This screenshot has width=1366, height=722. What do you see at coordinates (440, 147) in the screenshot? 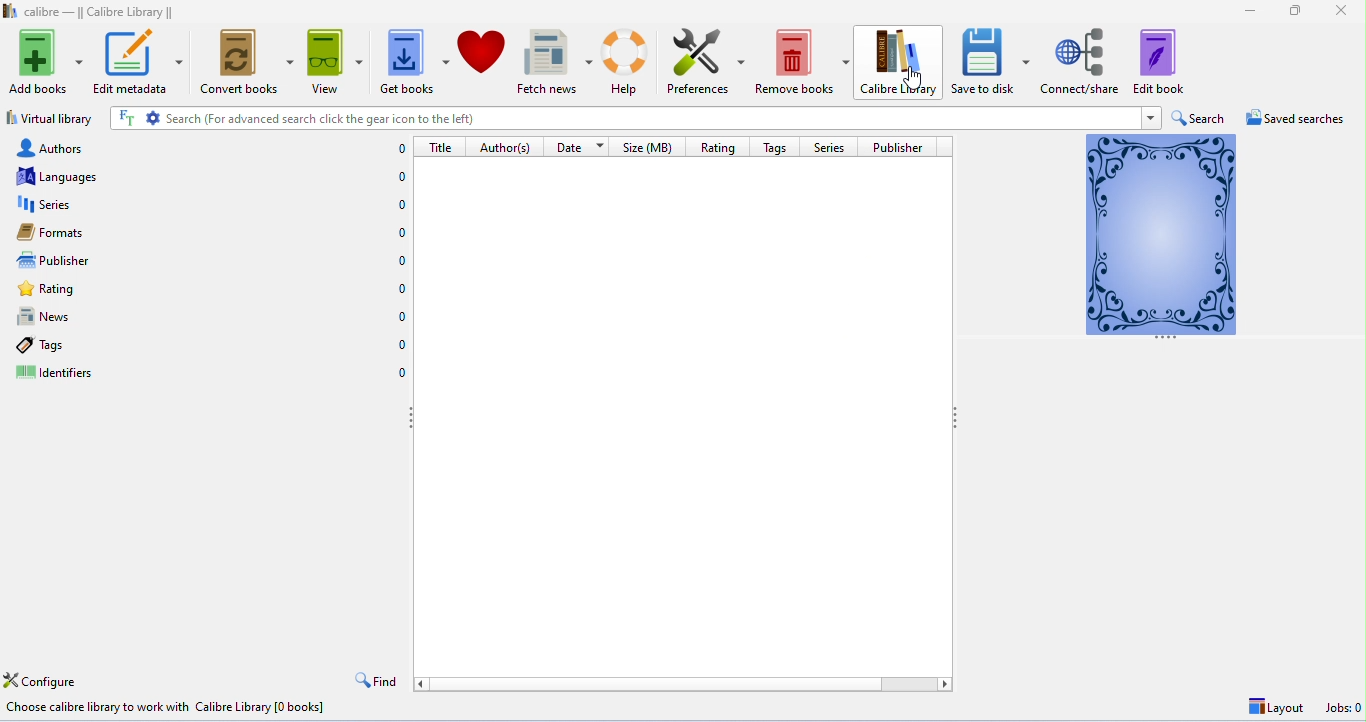
I see `title` at bounding box center [440, 147].